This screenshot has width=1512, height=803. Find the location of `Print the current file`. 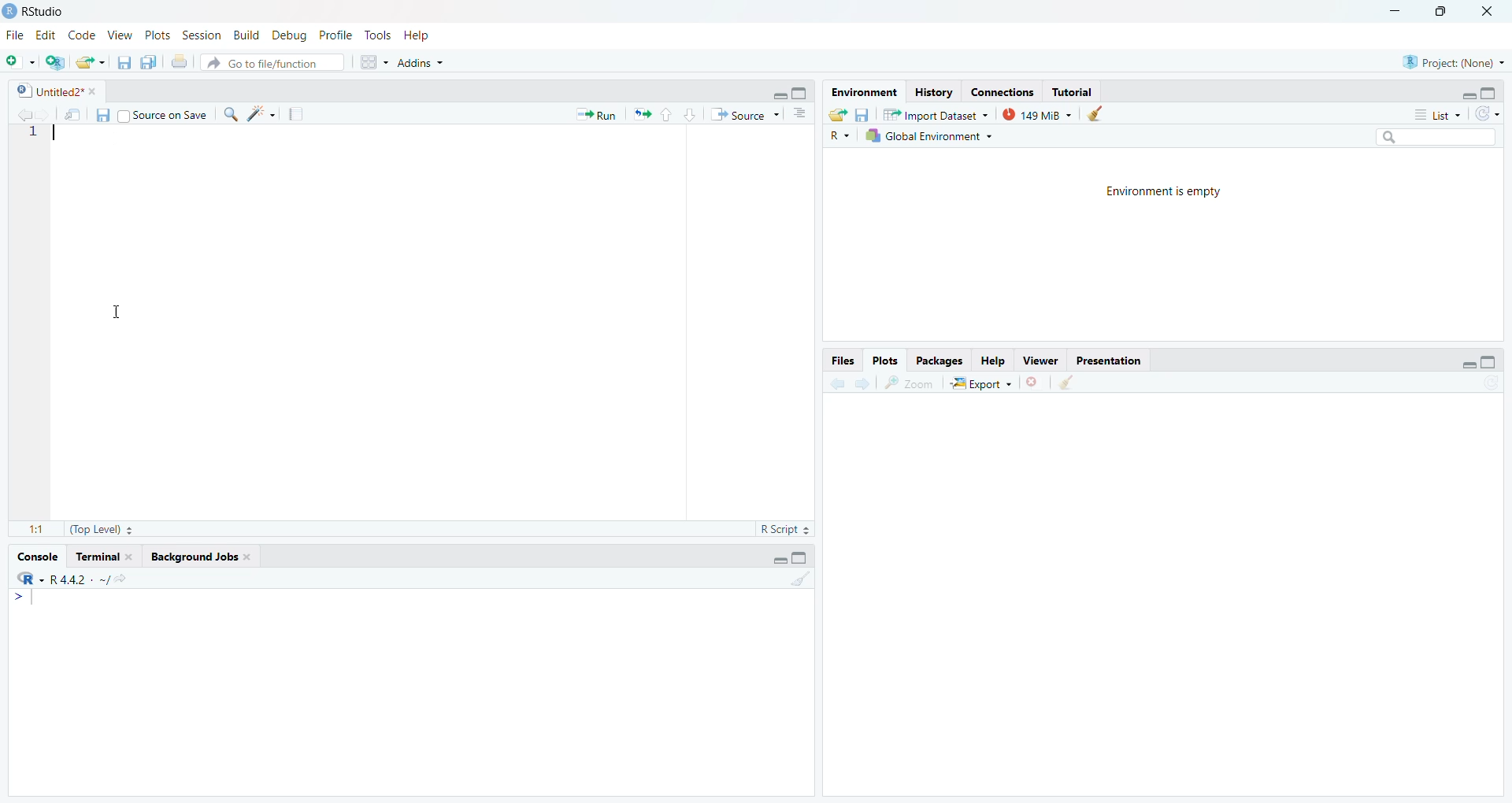

Print the current file is located at coordinates (178, 61).